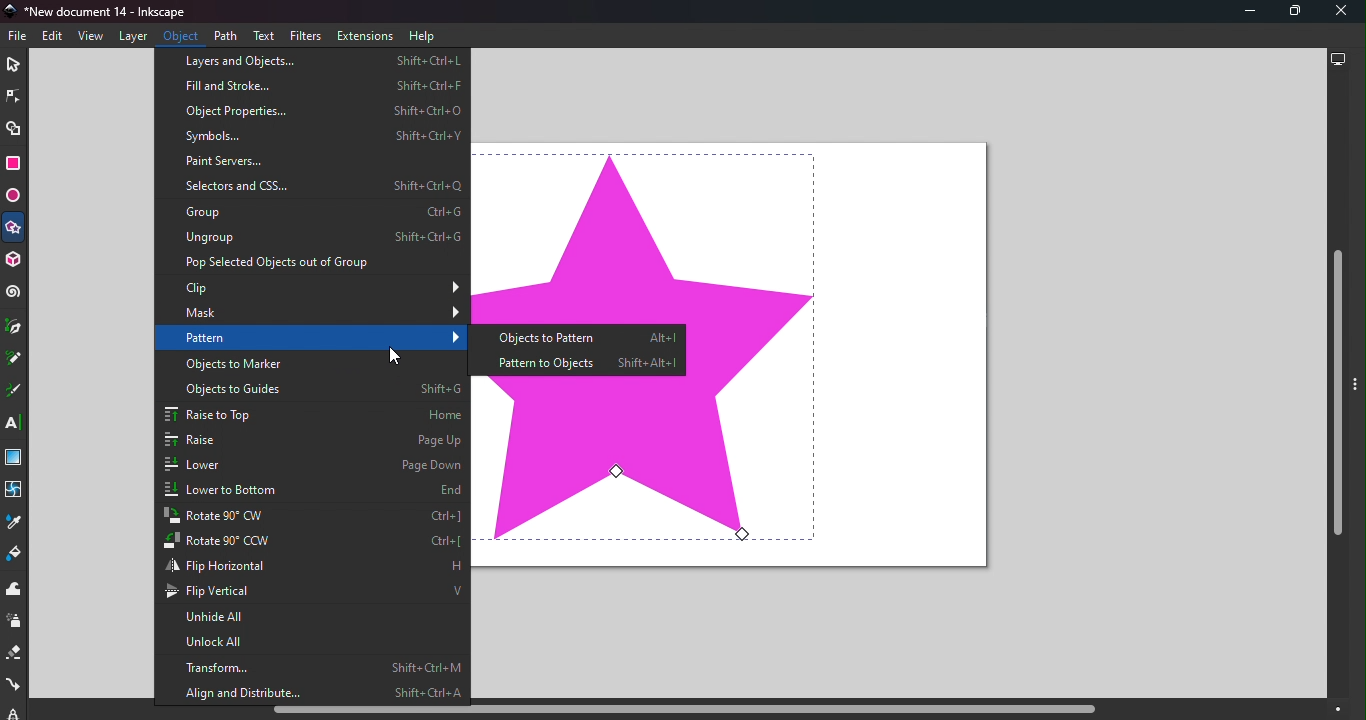 Image resolution: width=1366 pixels, height=720 pixels. What do you see at coordinates (326, 110) in the screenshot?
I see `Object properties` at bounding box center [326, 110].